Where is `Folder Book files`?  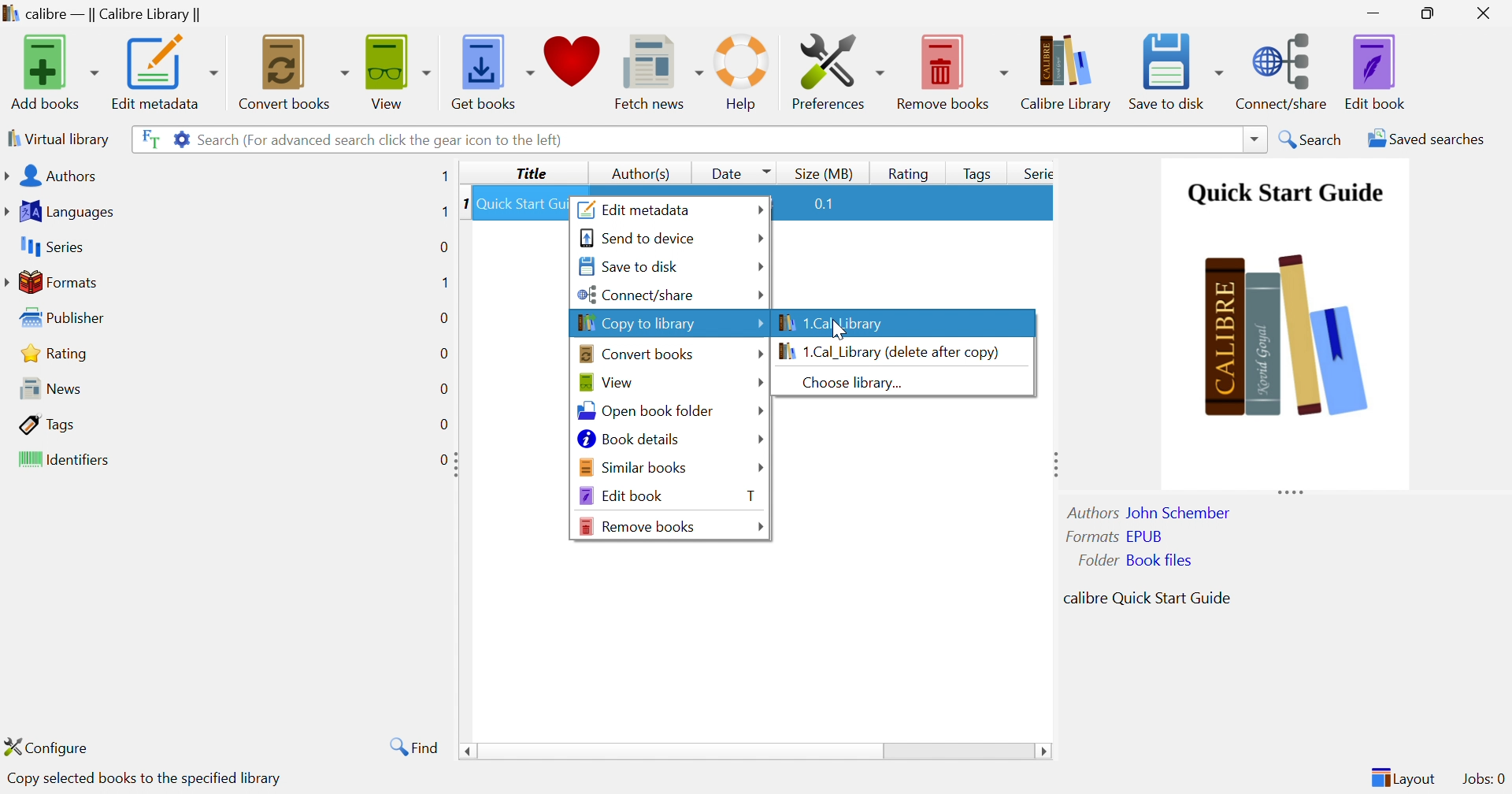
Folder Book files is located at coordinates (1130, 560).